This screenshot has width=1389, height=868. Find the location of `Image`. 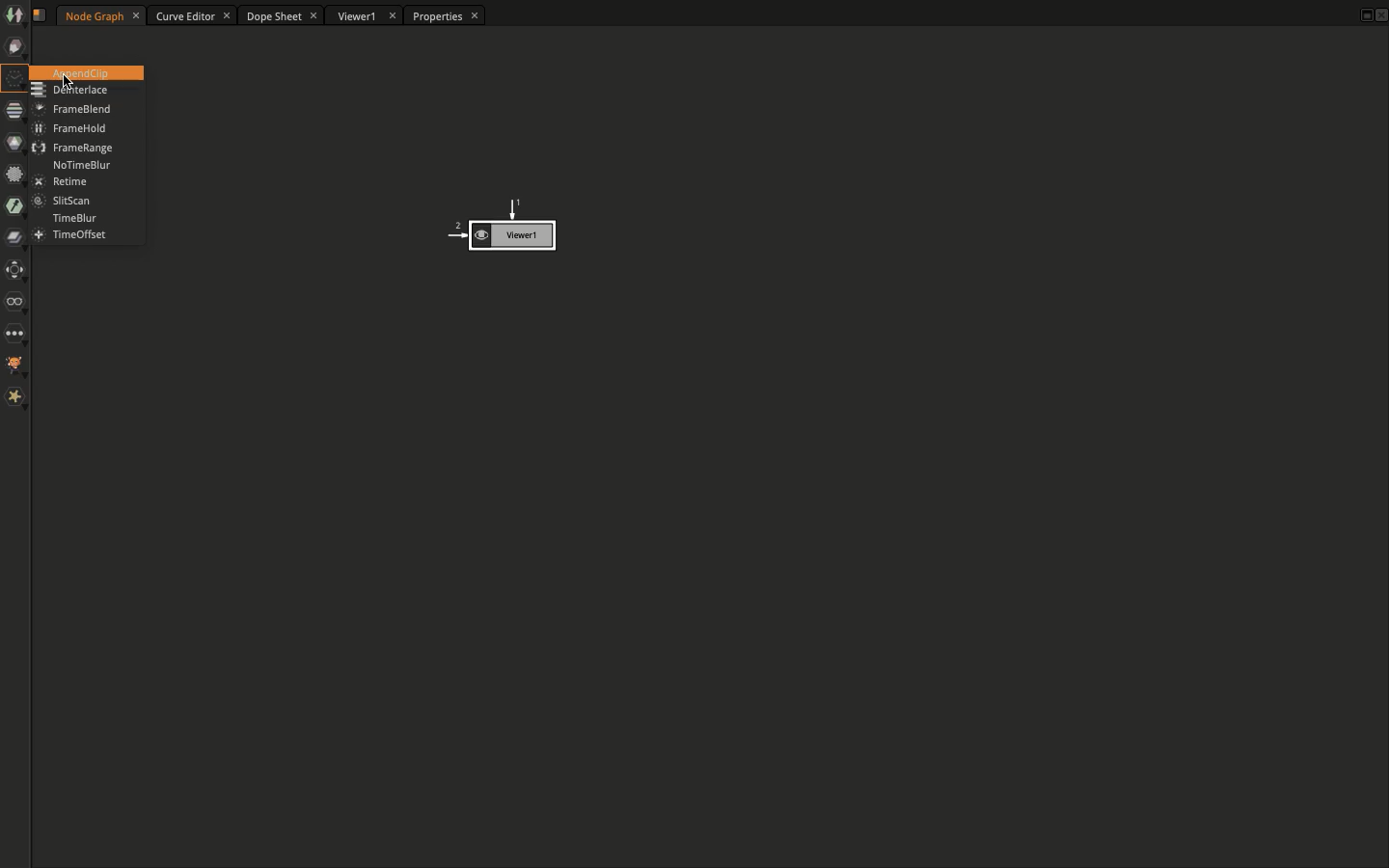

Image is located at coordinates (14, 14).